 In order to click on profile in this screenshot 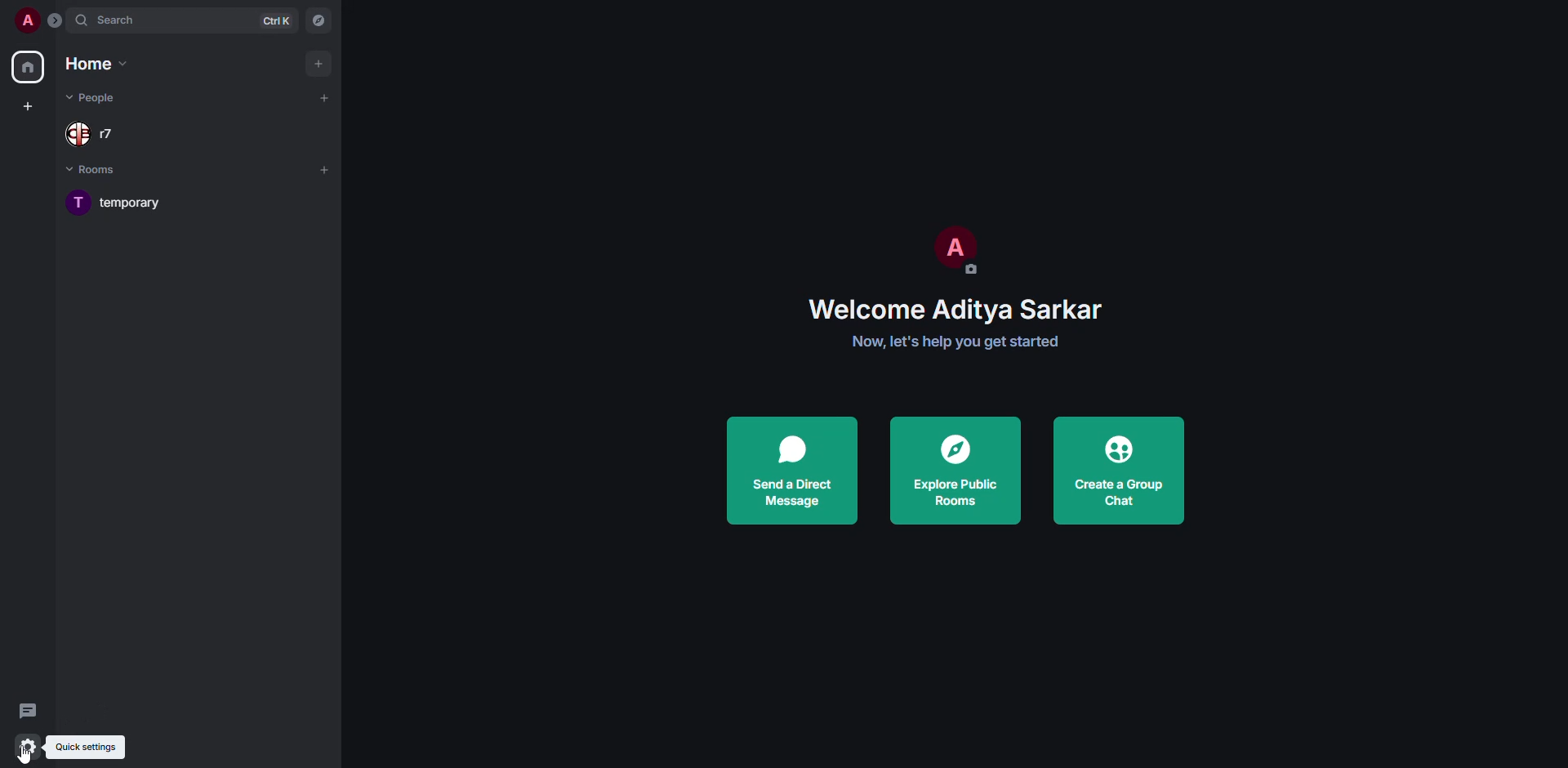, I will do `click(28, 21)`.